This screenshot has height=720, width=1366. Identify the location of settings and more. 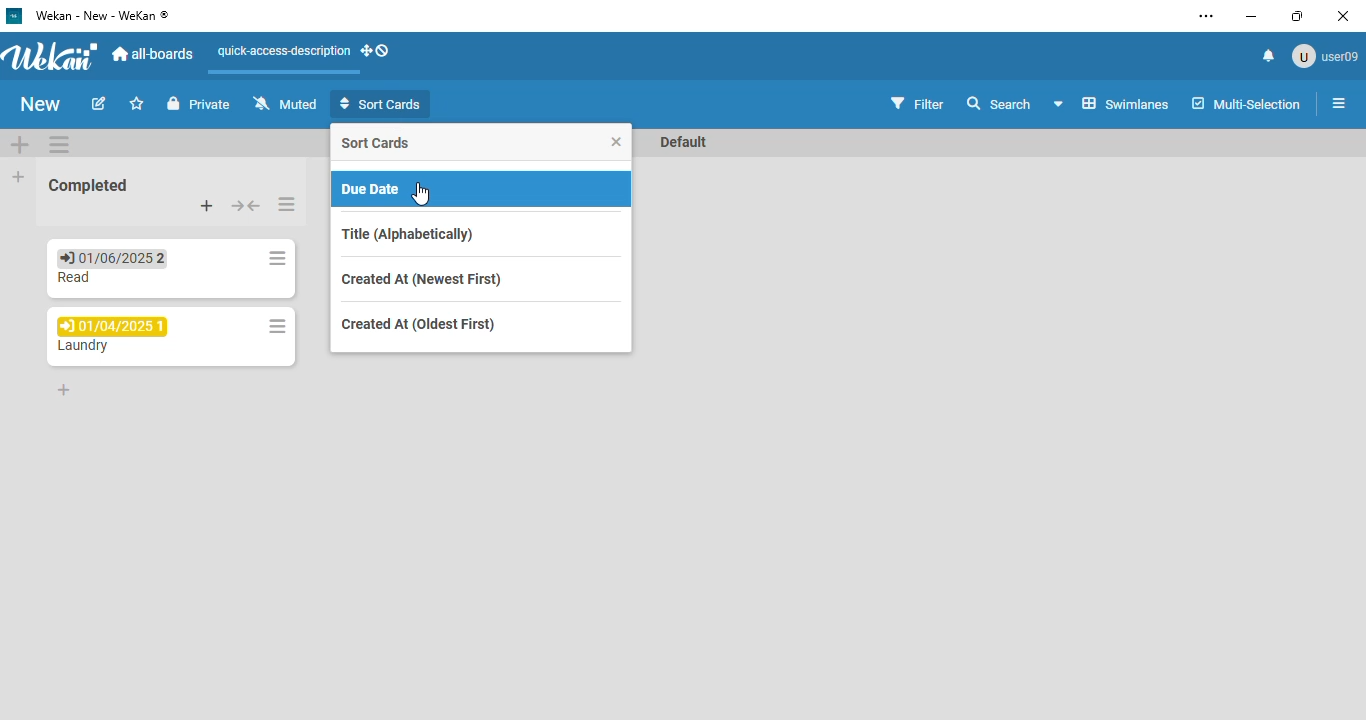
(1207, 16).